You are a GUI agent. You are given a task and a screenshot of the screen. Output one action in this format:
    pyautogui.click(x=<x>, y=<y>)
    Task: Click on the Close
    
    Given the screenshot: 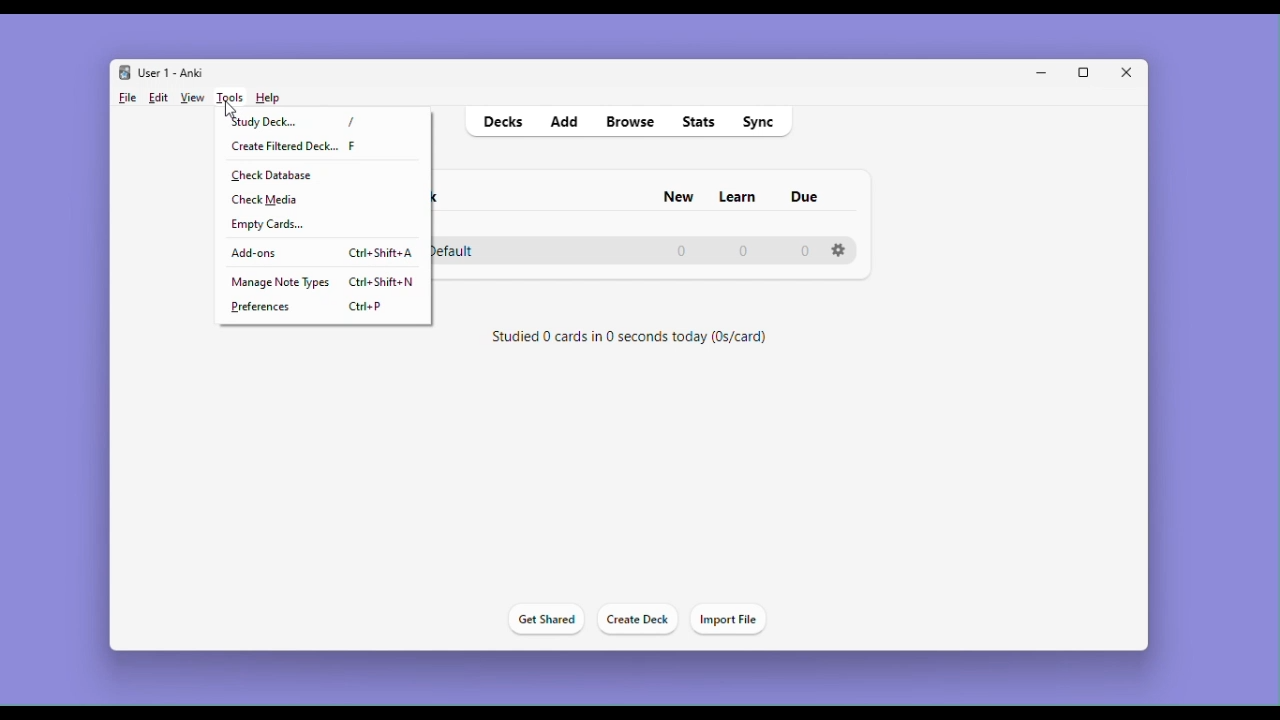 What is the action you would take?
    pyautogui.click(x=1129, y=71)
    